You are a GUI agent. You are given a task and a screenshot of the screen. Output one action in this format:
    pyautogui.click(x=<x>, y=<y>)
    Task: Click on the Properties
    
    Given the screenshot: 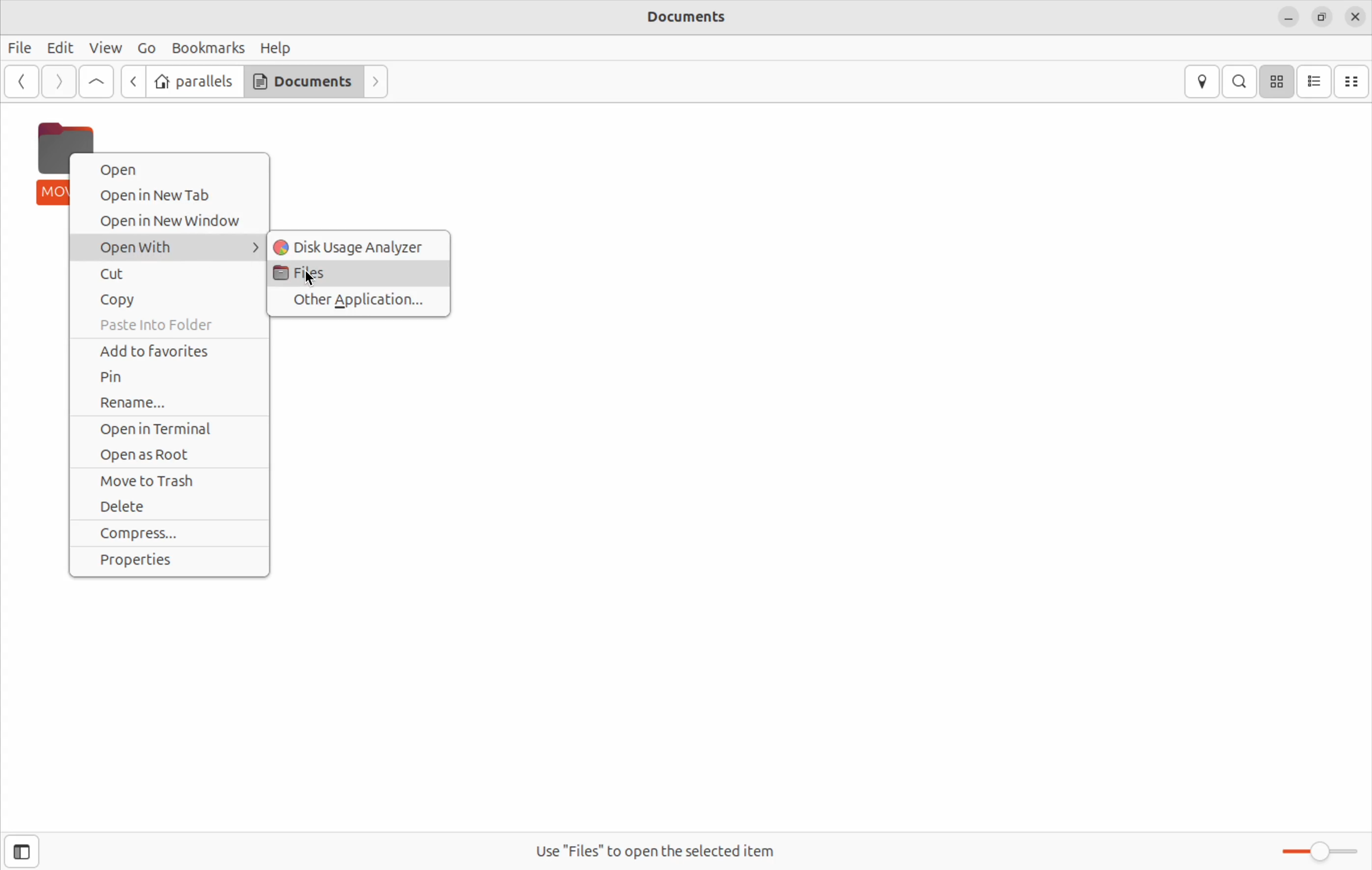 What is the action you would take?
    pyautogui.click(x=174, y=560)
    